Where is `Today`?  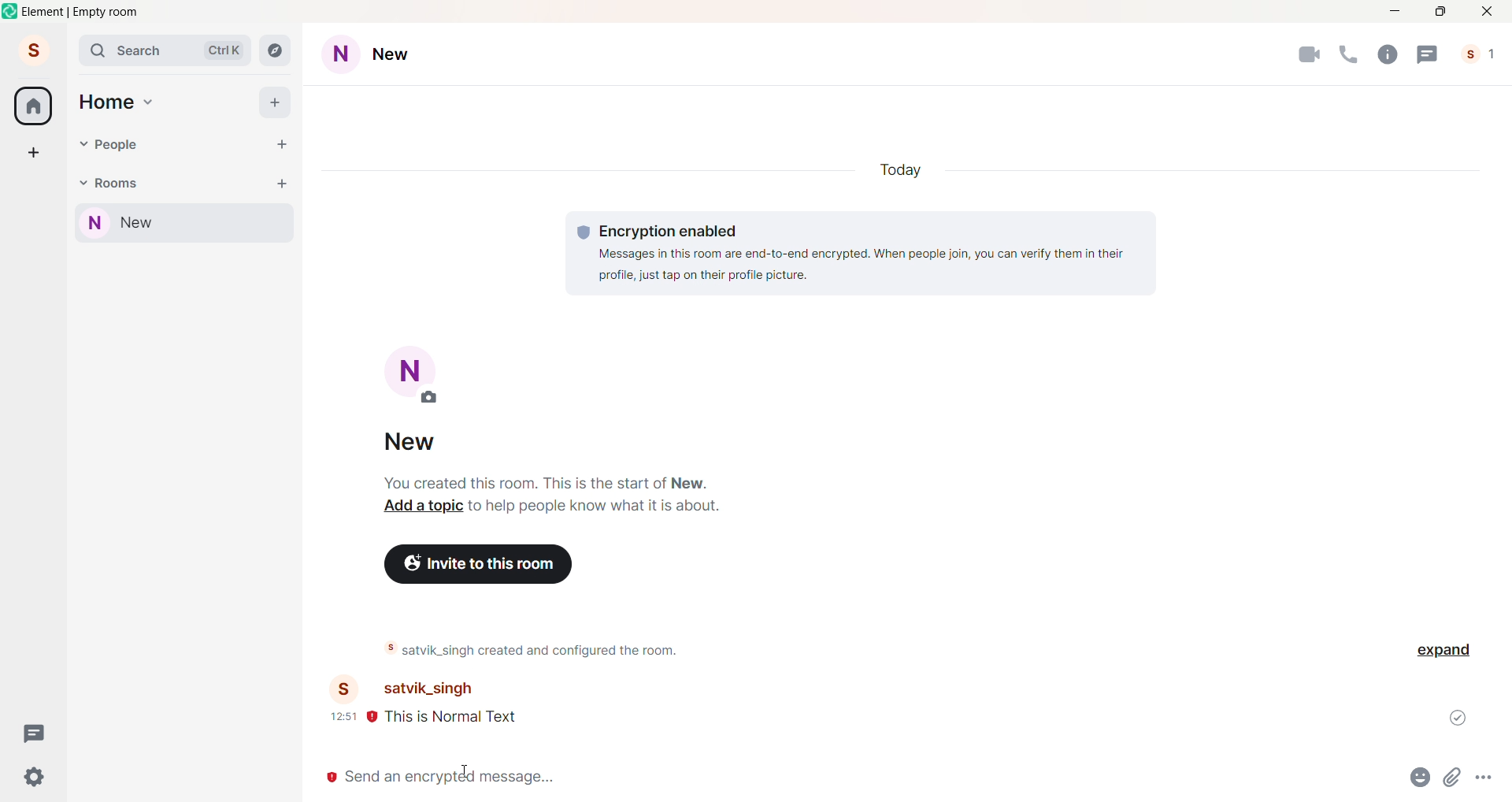 Today is located at coordinates (908, 171).